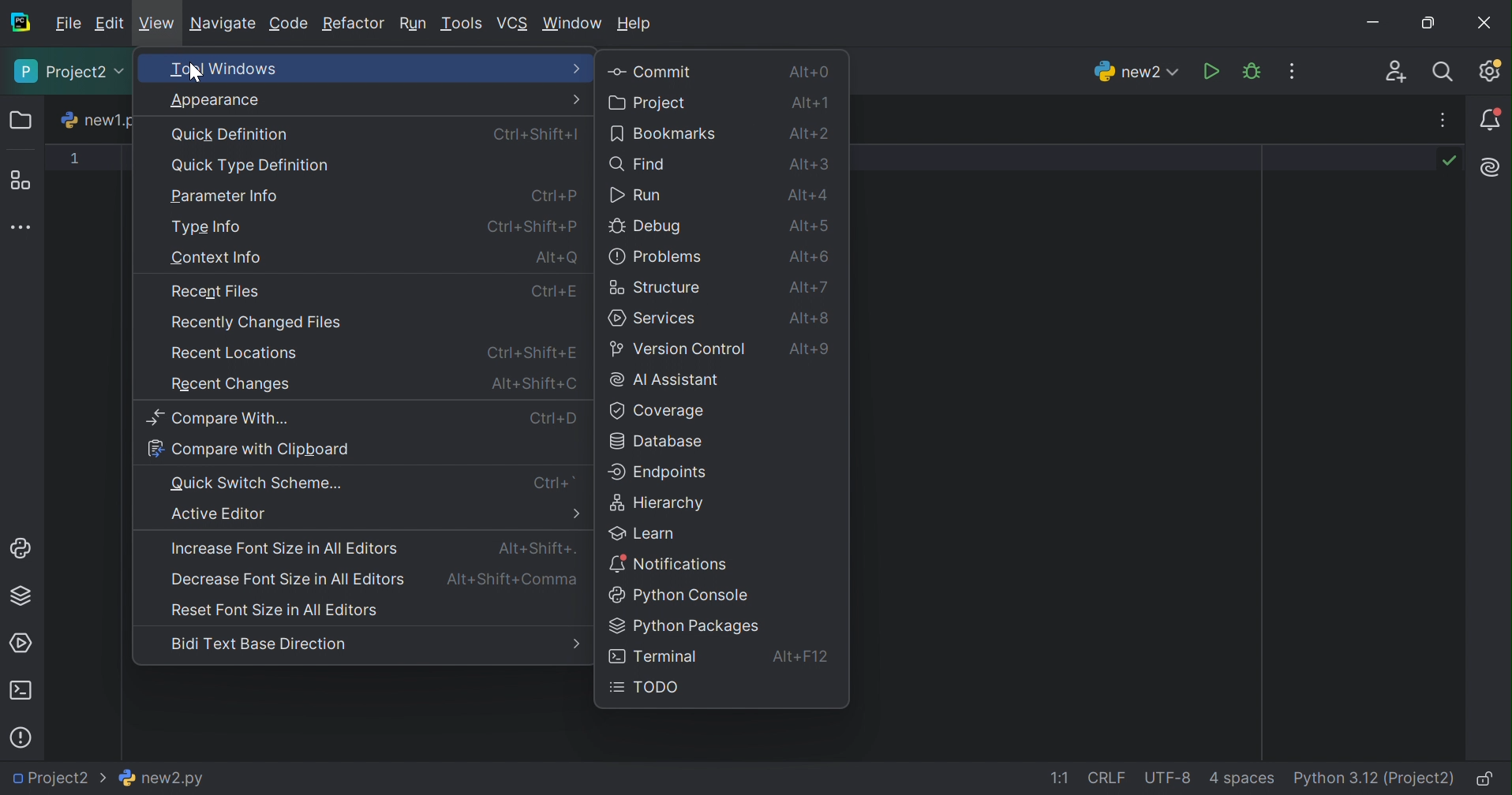 This screenshot has height=795, width=1512. Describe the element at coordinates (1491, 169) in the screenshot. I see `AI Assistant` at that location.